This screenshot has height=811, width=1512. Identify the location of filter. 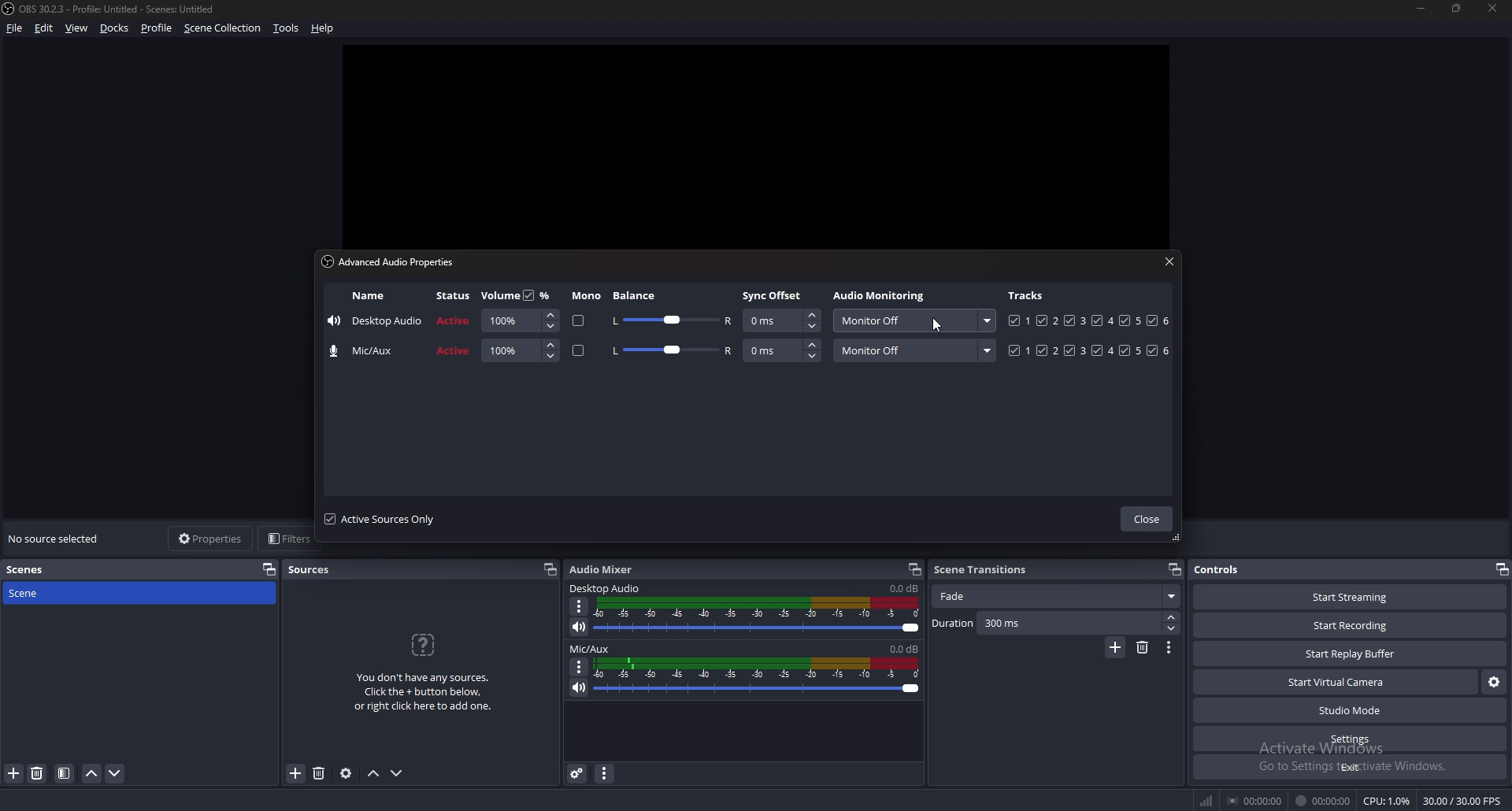
(65, 773).